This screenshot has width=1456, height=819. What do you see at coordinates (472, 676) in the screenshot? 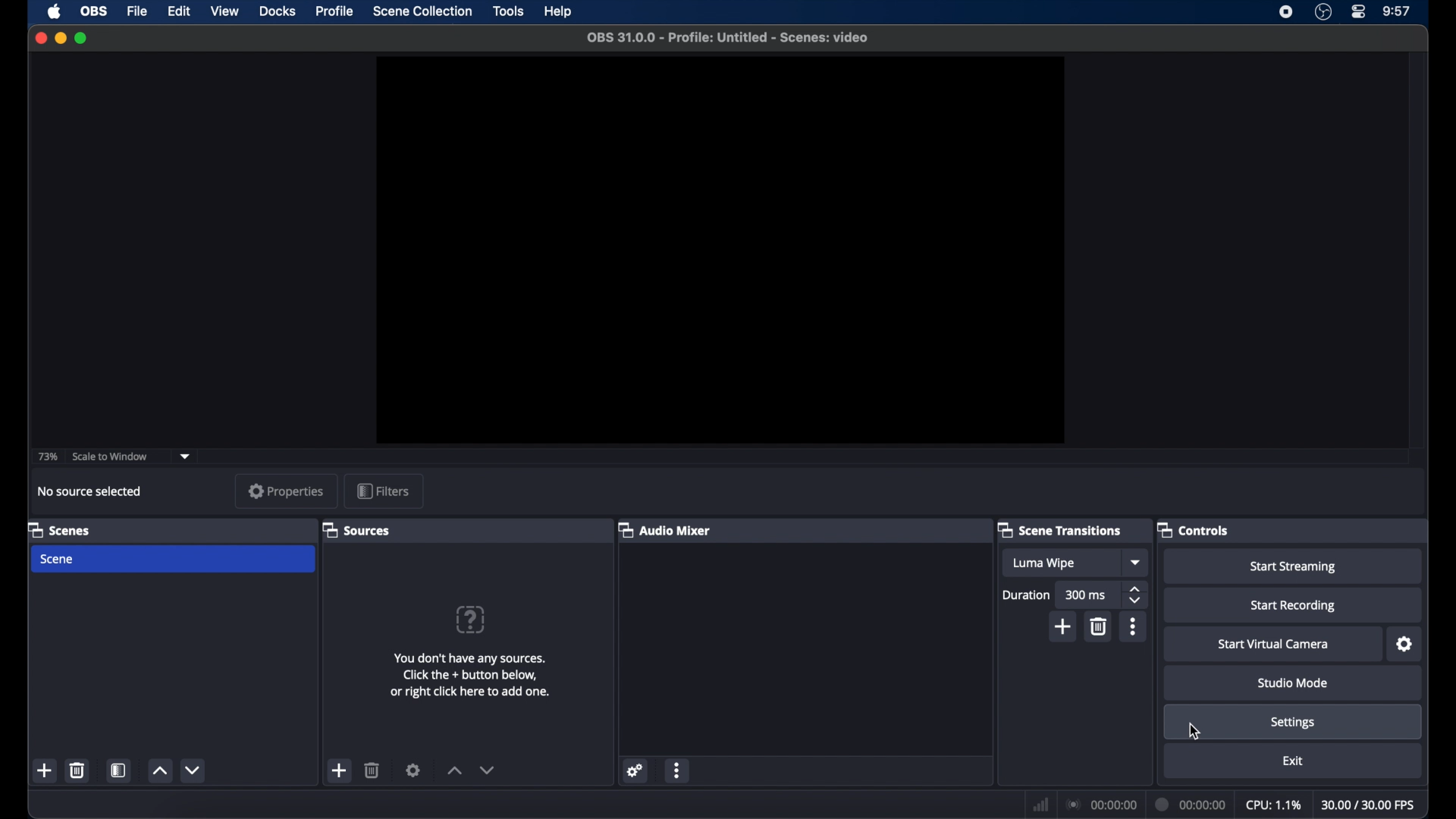
I see `add sources information` at bounding box center [472, 676].